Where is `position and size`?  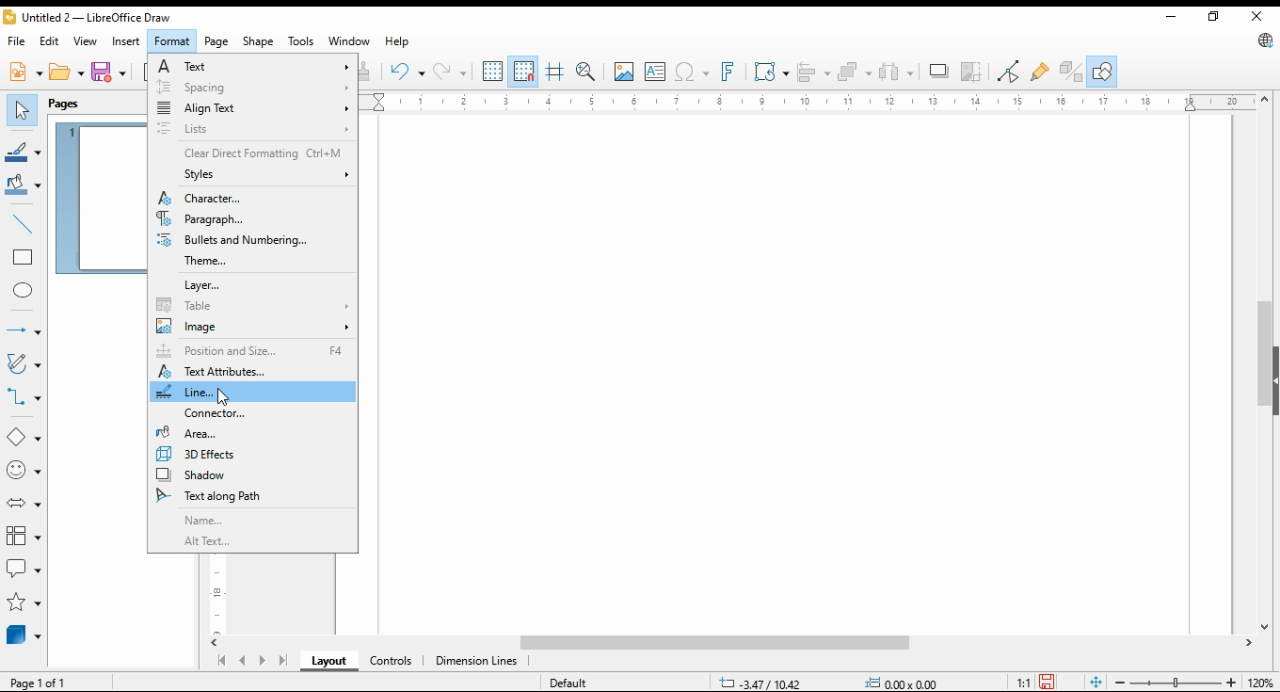
position and size is located at coordinates (252, 350).